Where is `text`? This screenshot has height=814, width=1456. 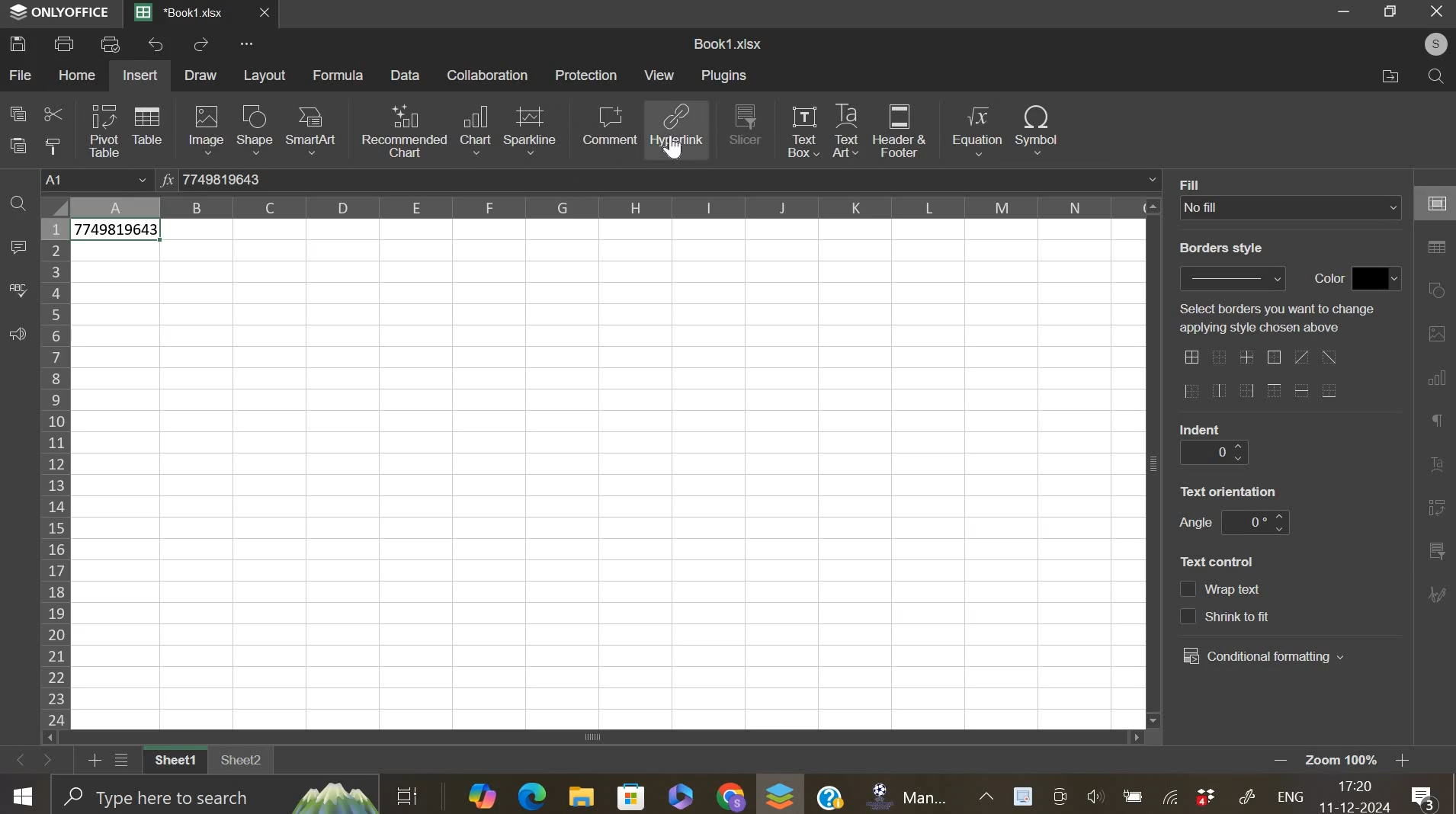
text is located at coordinates (1229, 491).